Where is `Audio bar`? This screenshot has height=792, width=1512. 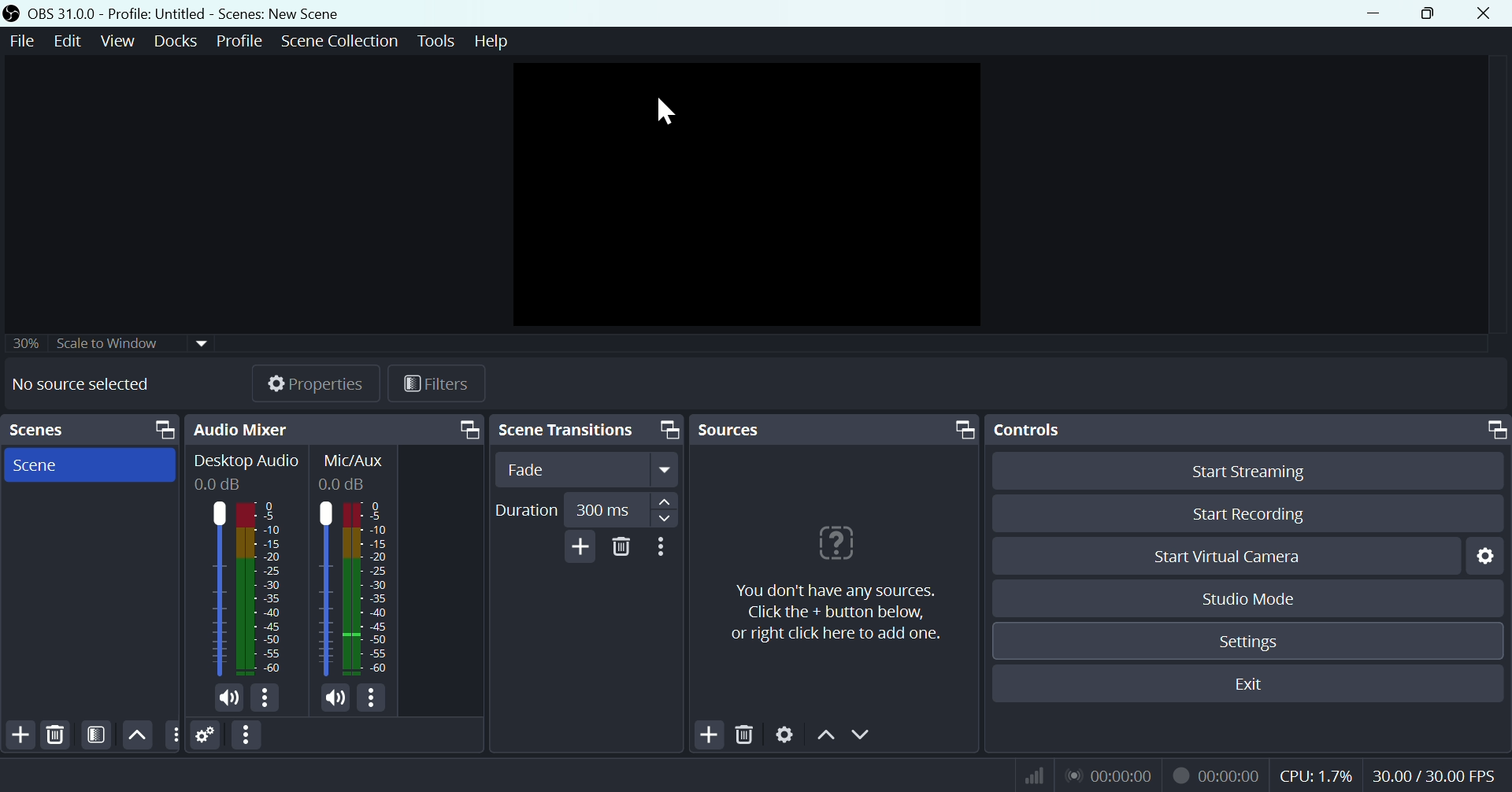
Audio bar is located at coordinates (354, 590).